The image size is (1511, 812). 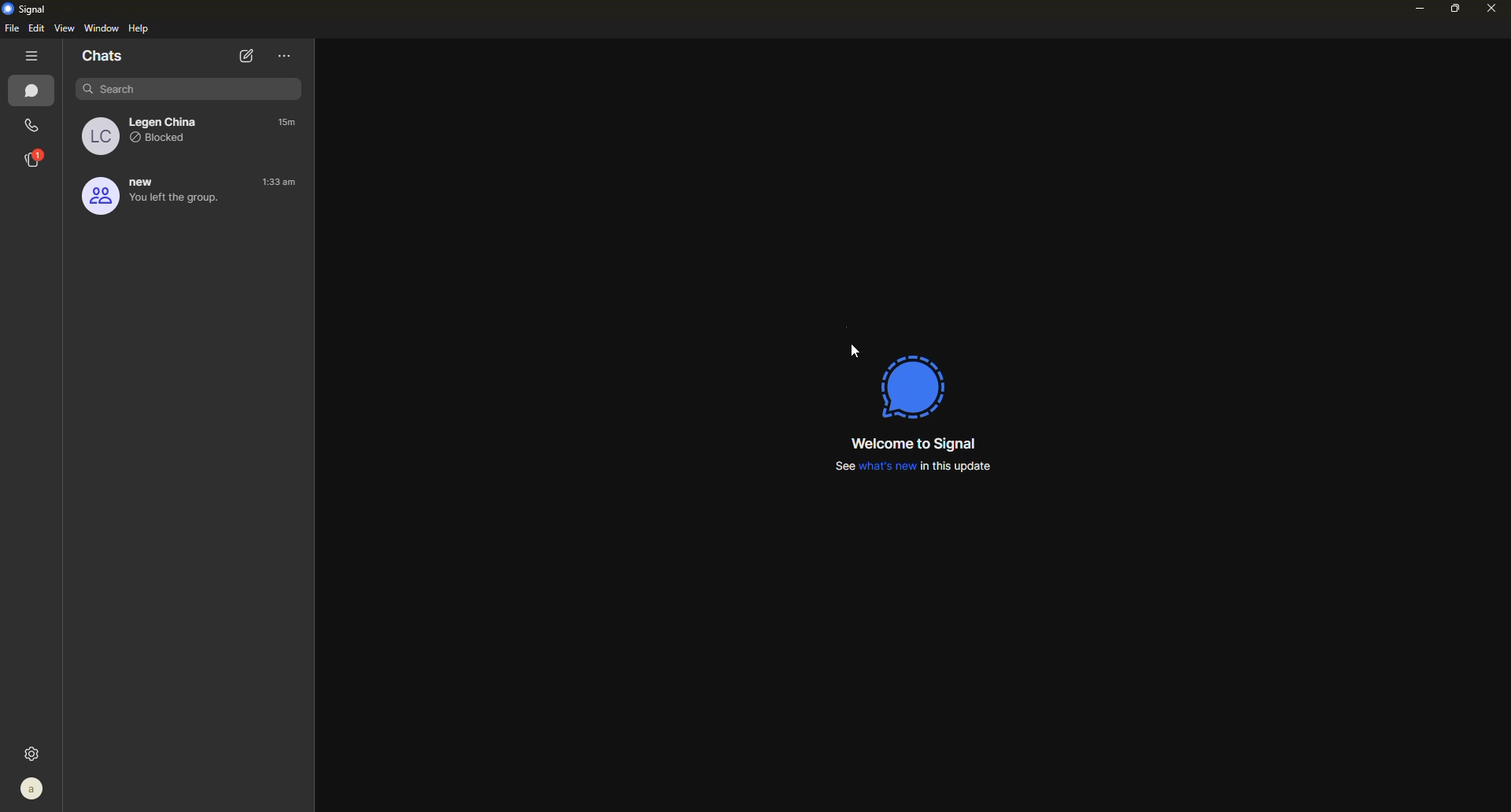 What do you see at coordinates (31, 56) in the screenshot?
I see `hide tabs` at bounding box center [31, 56].